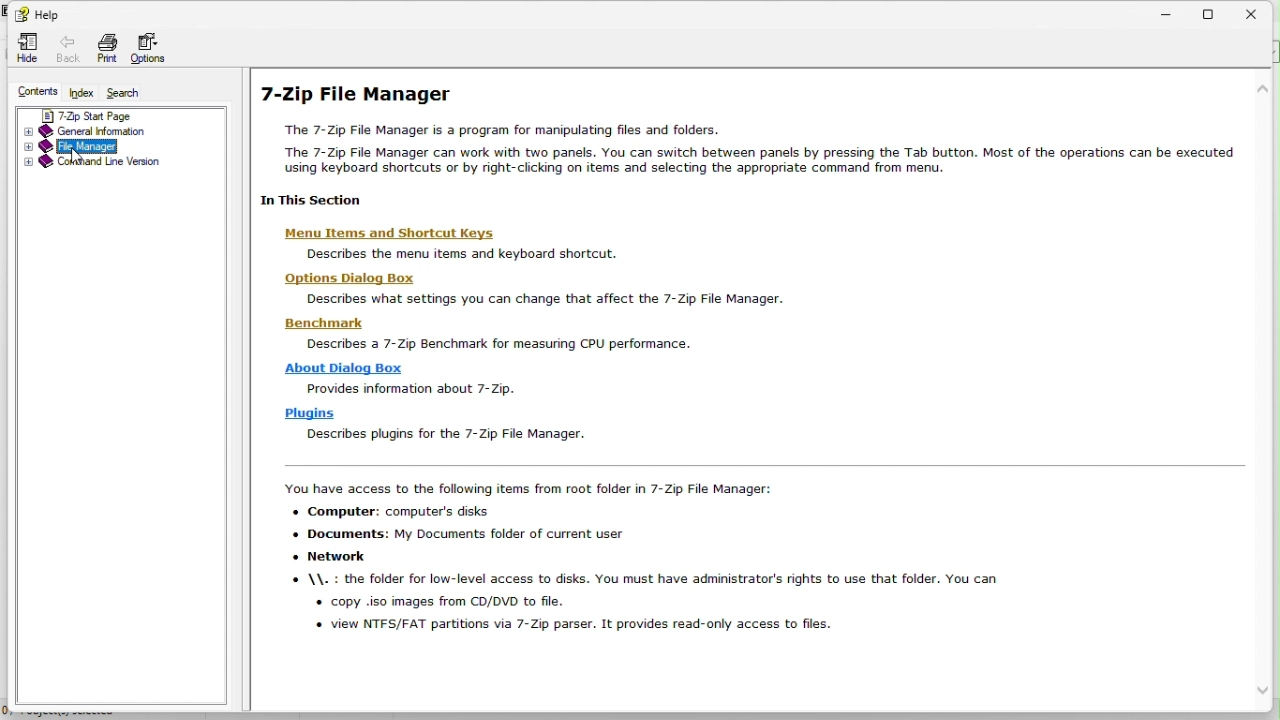 Image resolution: width=1280 pixels, height=720 pixels. Describe the element at coordinates (115, 146) in the screenshot. I see `File manager` at that location.